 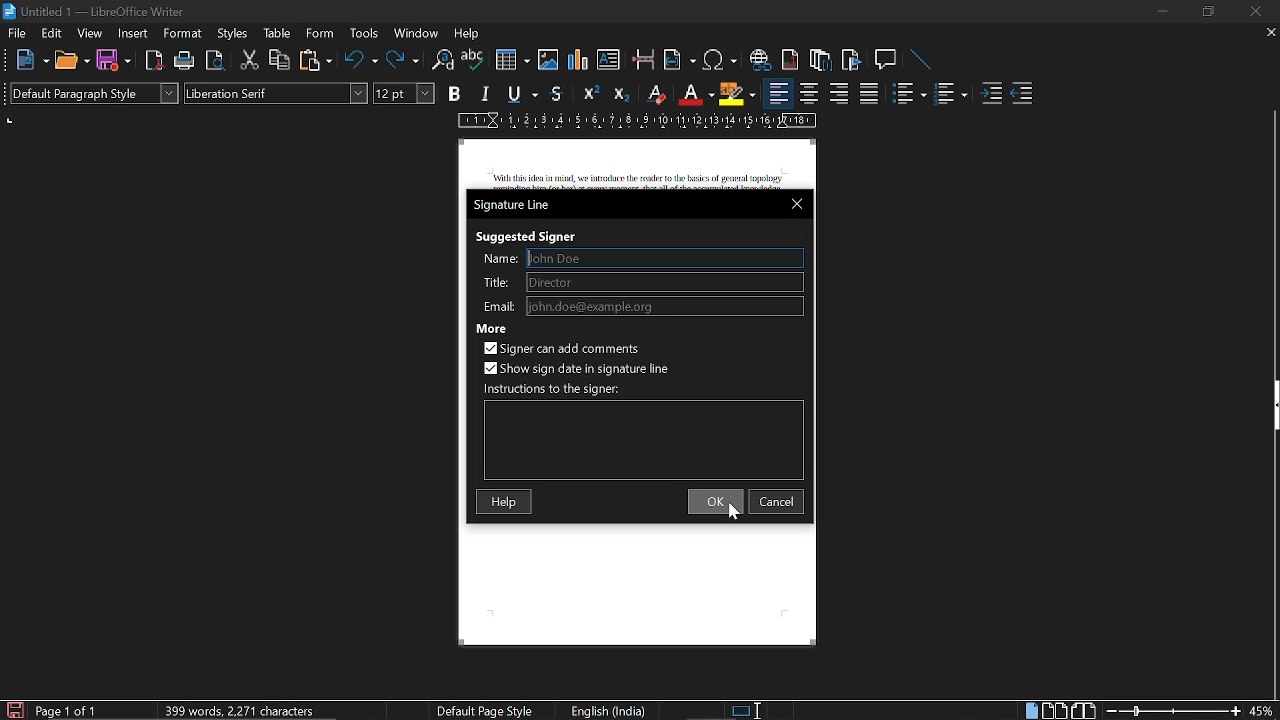 I want to click on  page 1 of 1, so click(x=75, y=710).